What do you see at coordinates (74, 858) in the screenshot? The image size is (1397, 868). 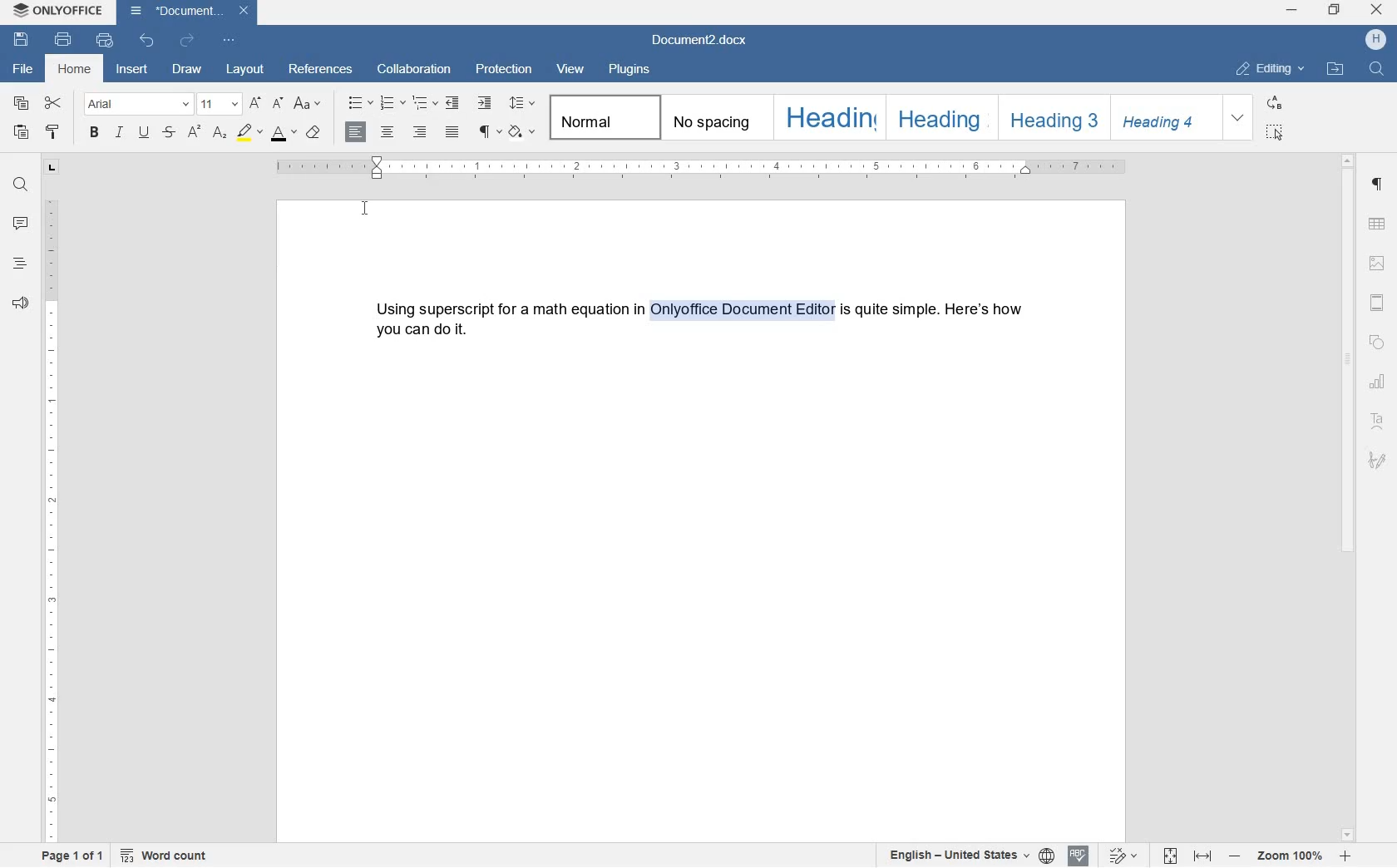 I see `page 1 of 1` at bounding box center [74, 858].